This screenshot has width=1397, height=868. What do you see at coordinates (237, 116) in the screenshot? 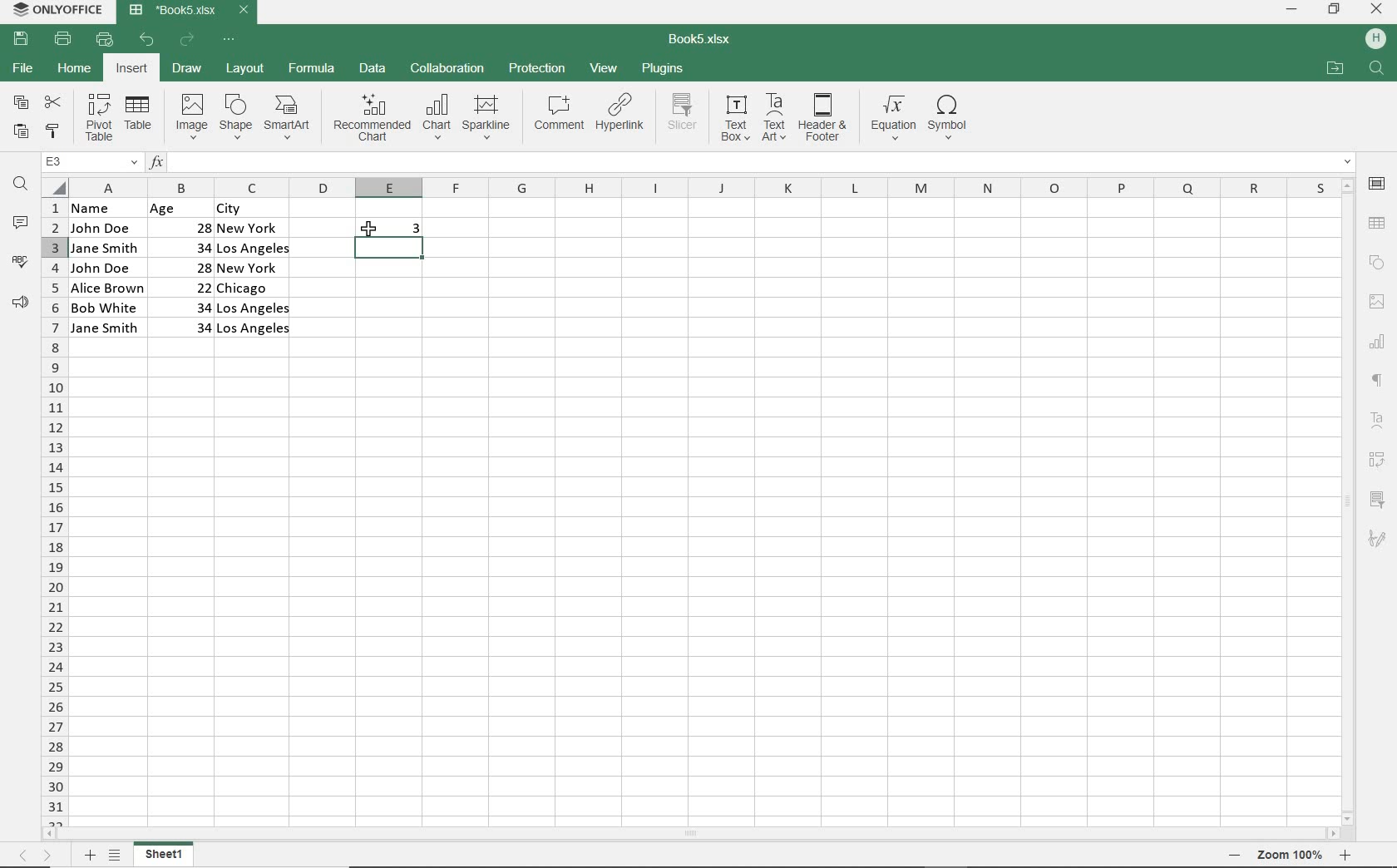
I see `SHAPE` at bounding box center [237, 116].